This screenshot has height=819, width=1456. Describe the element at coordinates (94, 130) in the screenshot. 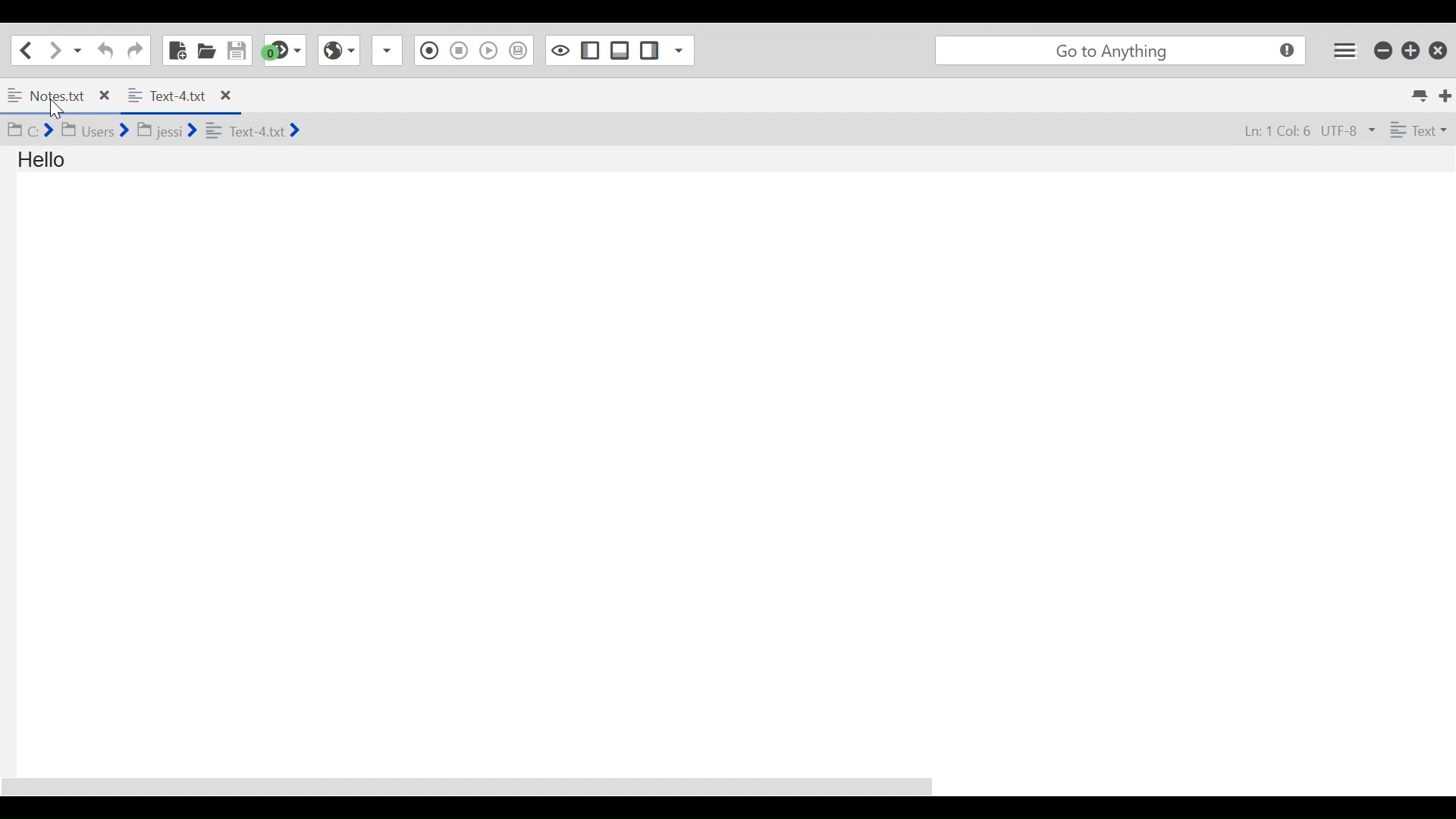

I see `users` at that location.